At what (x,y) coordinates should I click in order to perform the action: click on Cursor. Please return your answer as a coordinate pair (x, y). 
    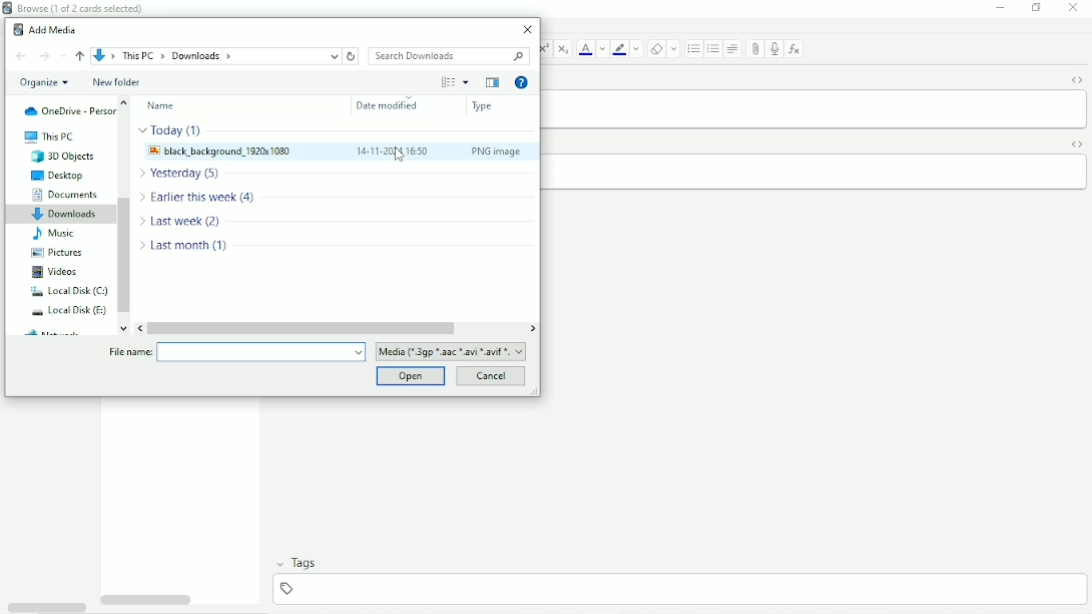
    Looking at the image, I should click on (401, 158).